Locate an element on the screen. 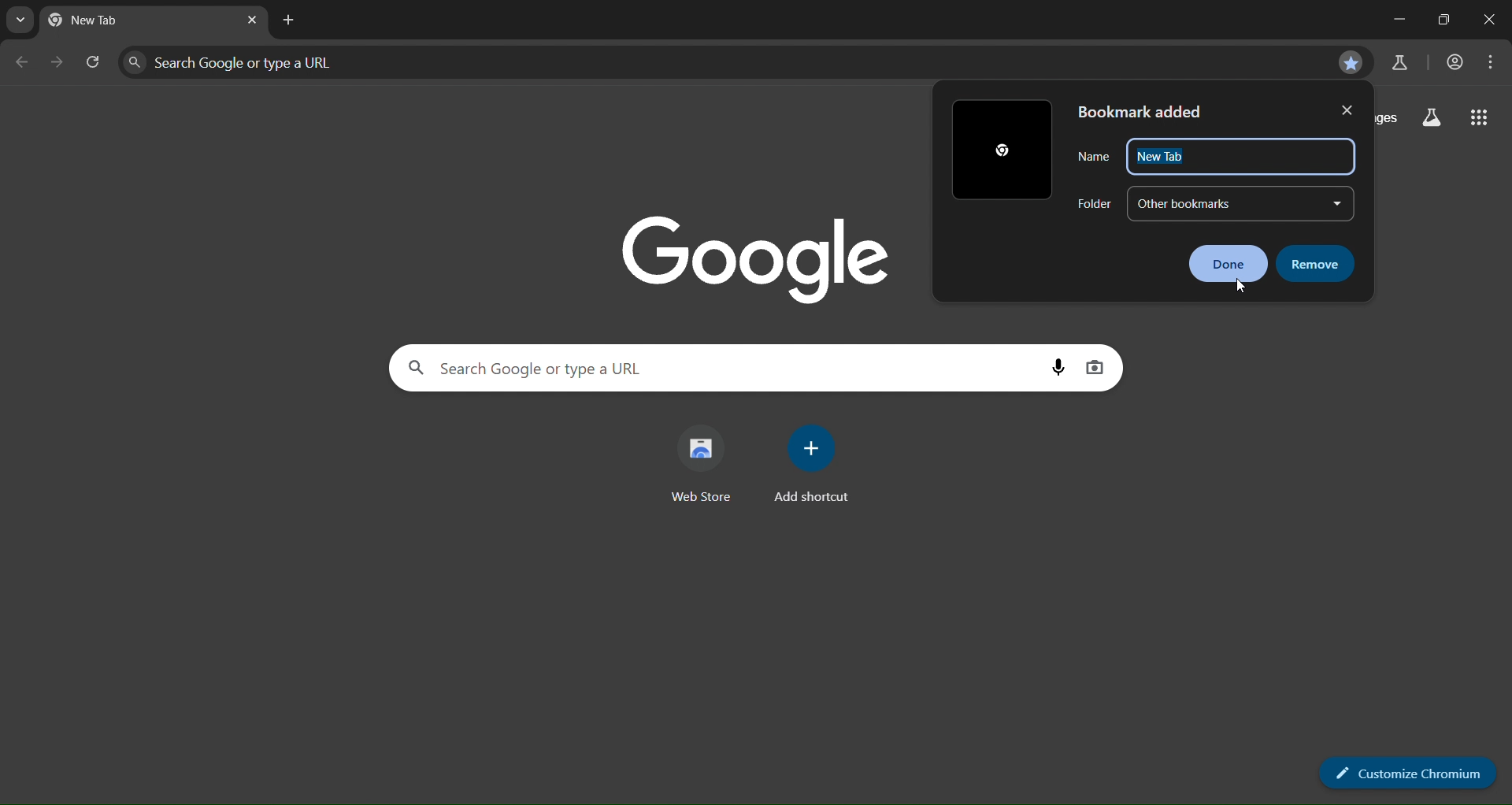 The width and height of the screenshot is (1512, 805). voice search is located at coordinates (1059, 367).